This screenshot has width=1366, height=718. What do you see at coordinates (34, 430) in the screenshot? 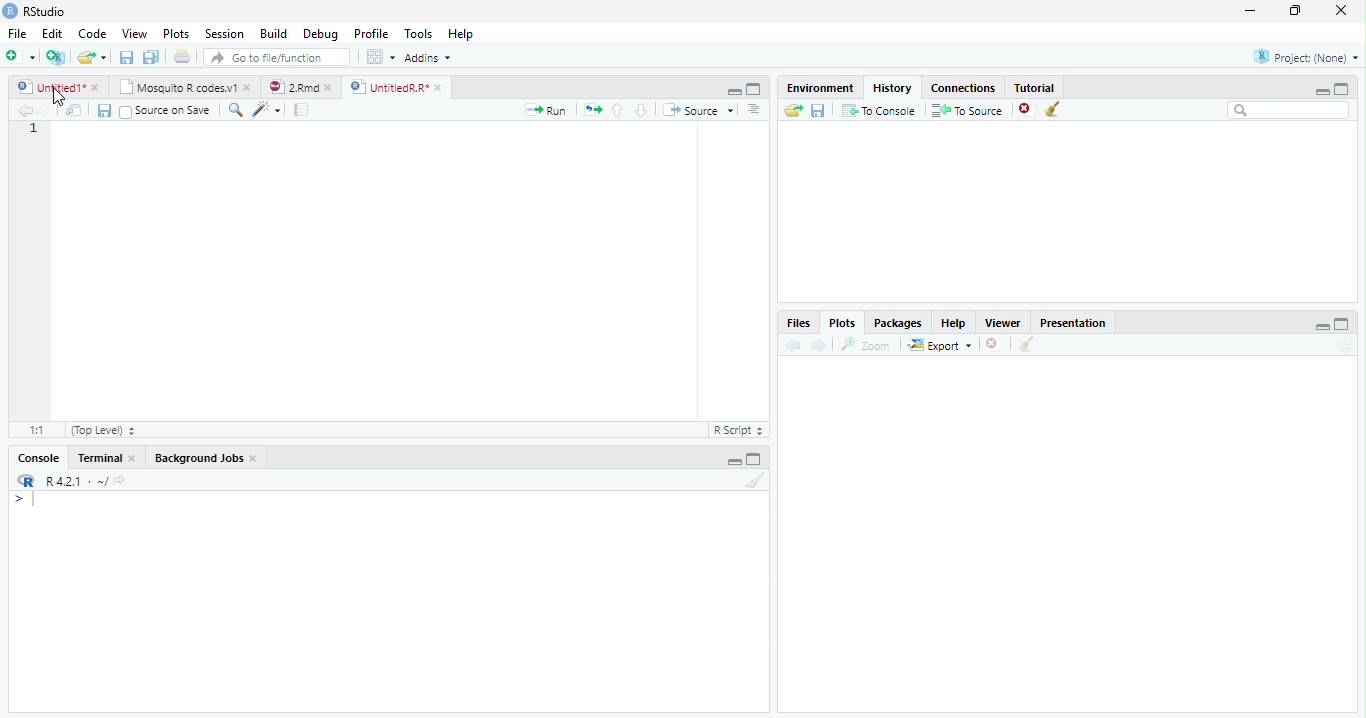
I see `1:1` at bounding box center [34, 430].